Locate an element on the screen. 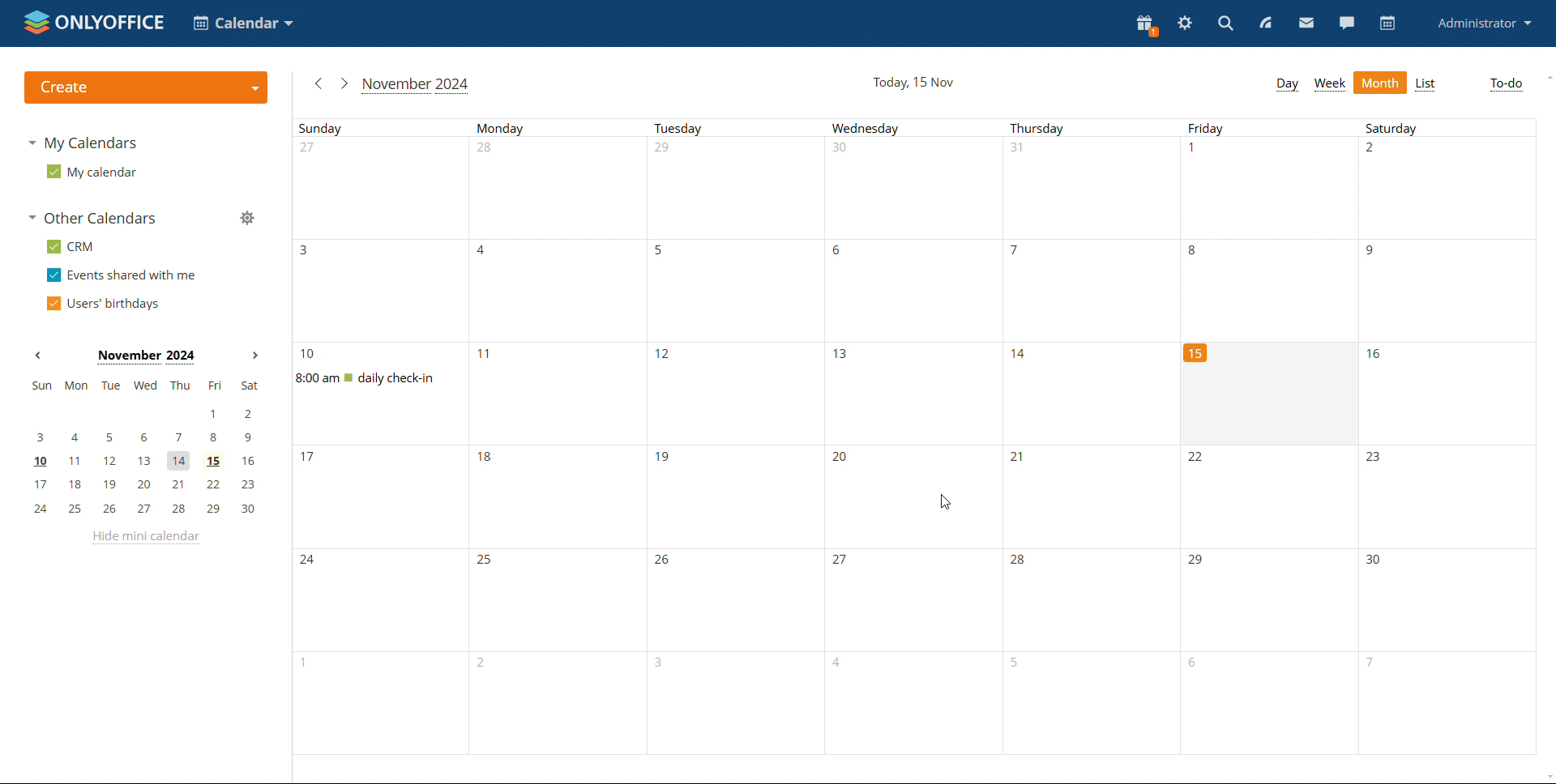 Image resolution: width=1556 pixels, height=784 pixels. chat is located at coordinates (1345, 23).